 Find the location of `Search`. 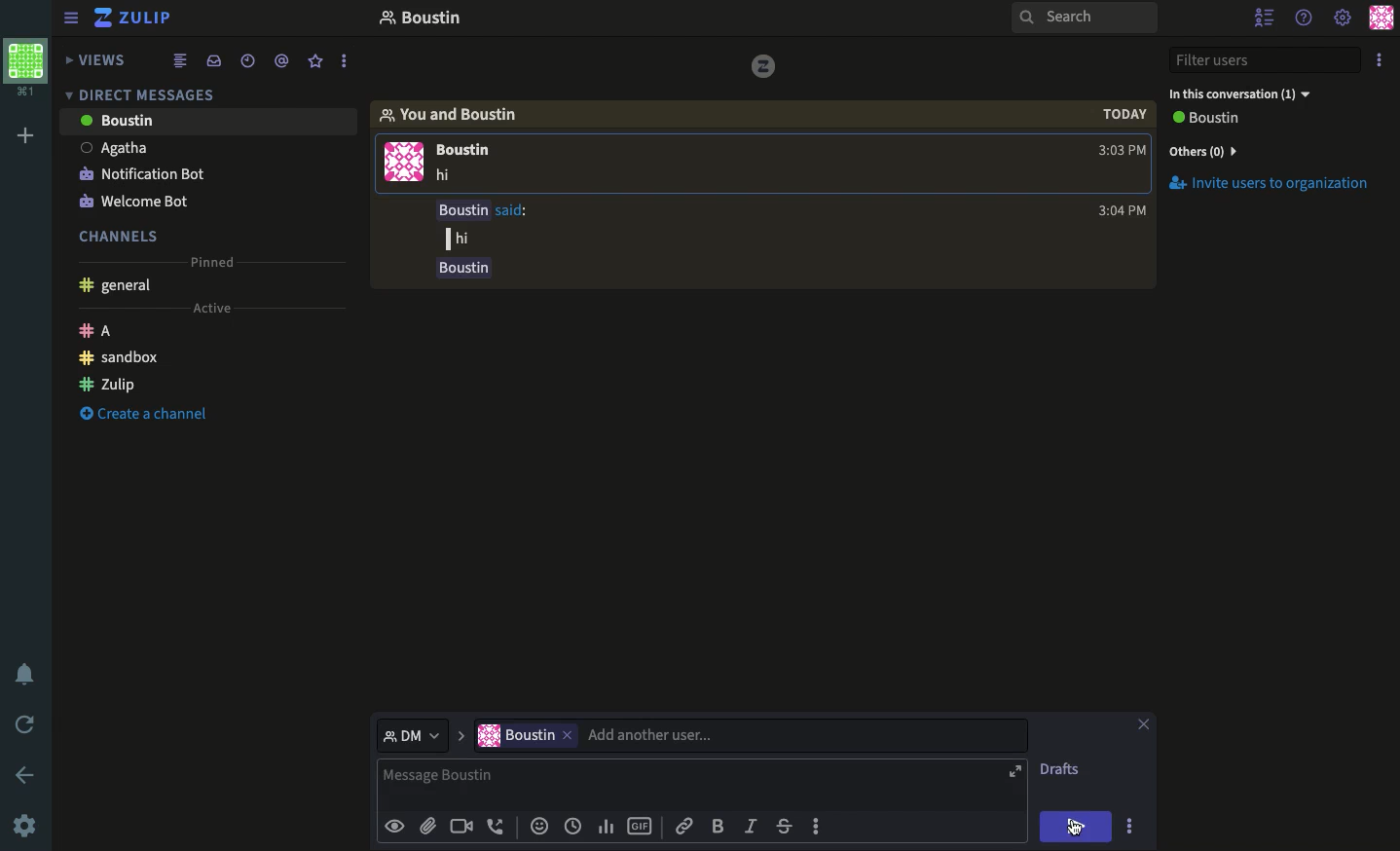

Search is located at coordinates (1084, 19).